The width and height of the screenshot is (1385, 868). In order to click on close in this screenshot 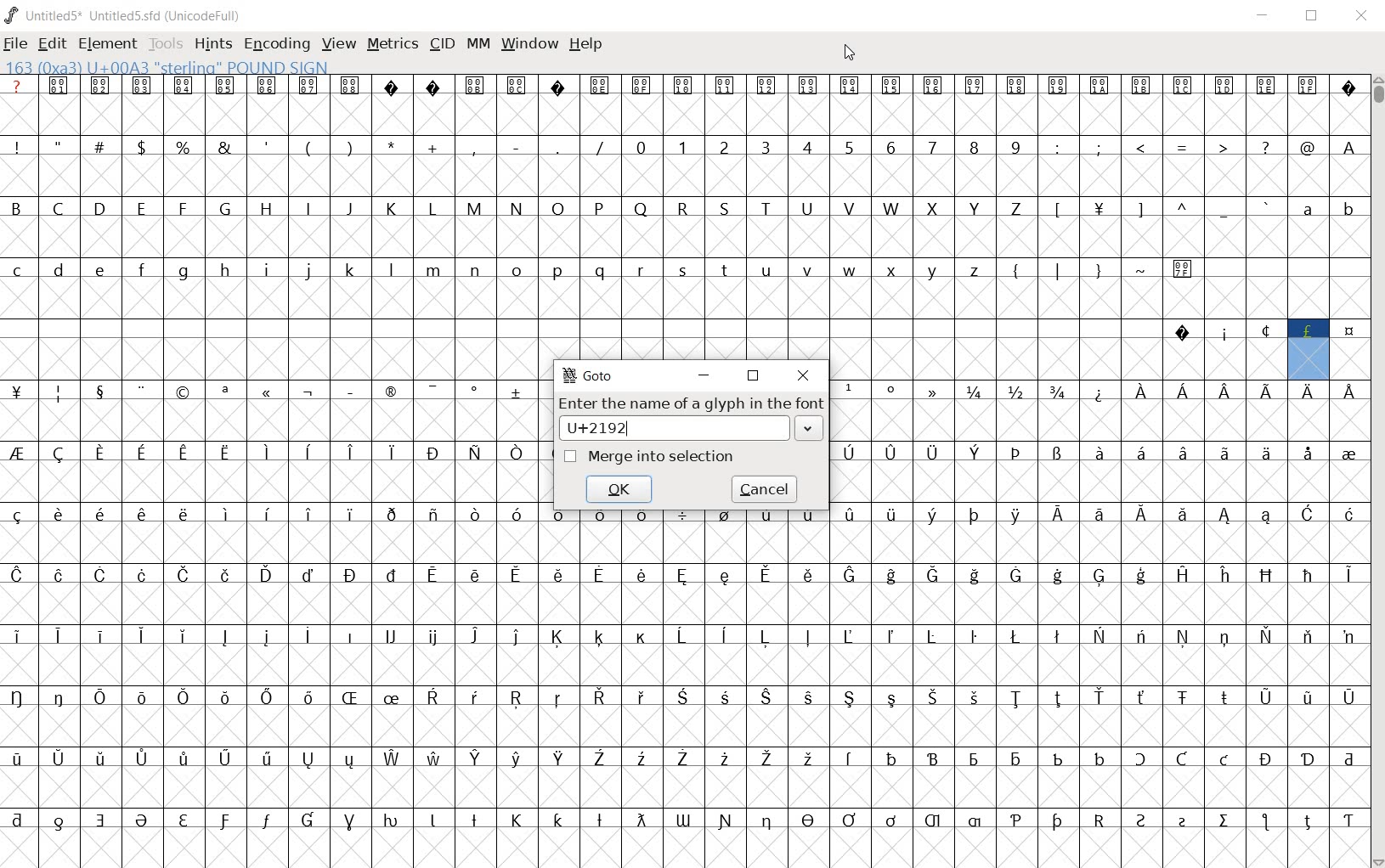, I will do `click(805, 375)`.